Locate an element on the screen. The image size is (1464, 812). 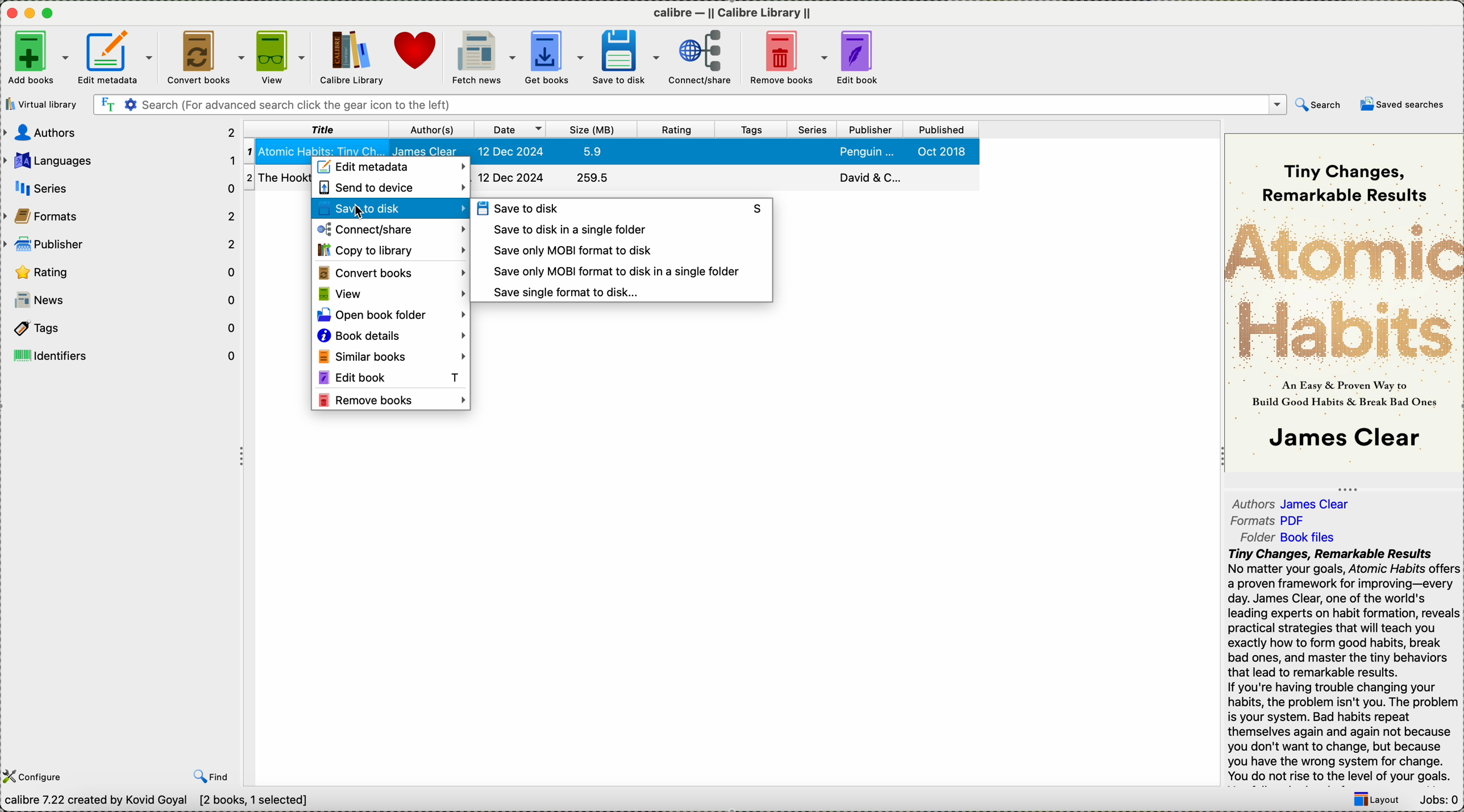
convert books is located at coordinates (390, 273).